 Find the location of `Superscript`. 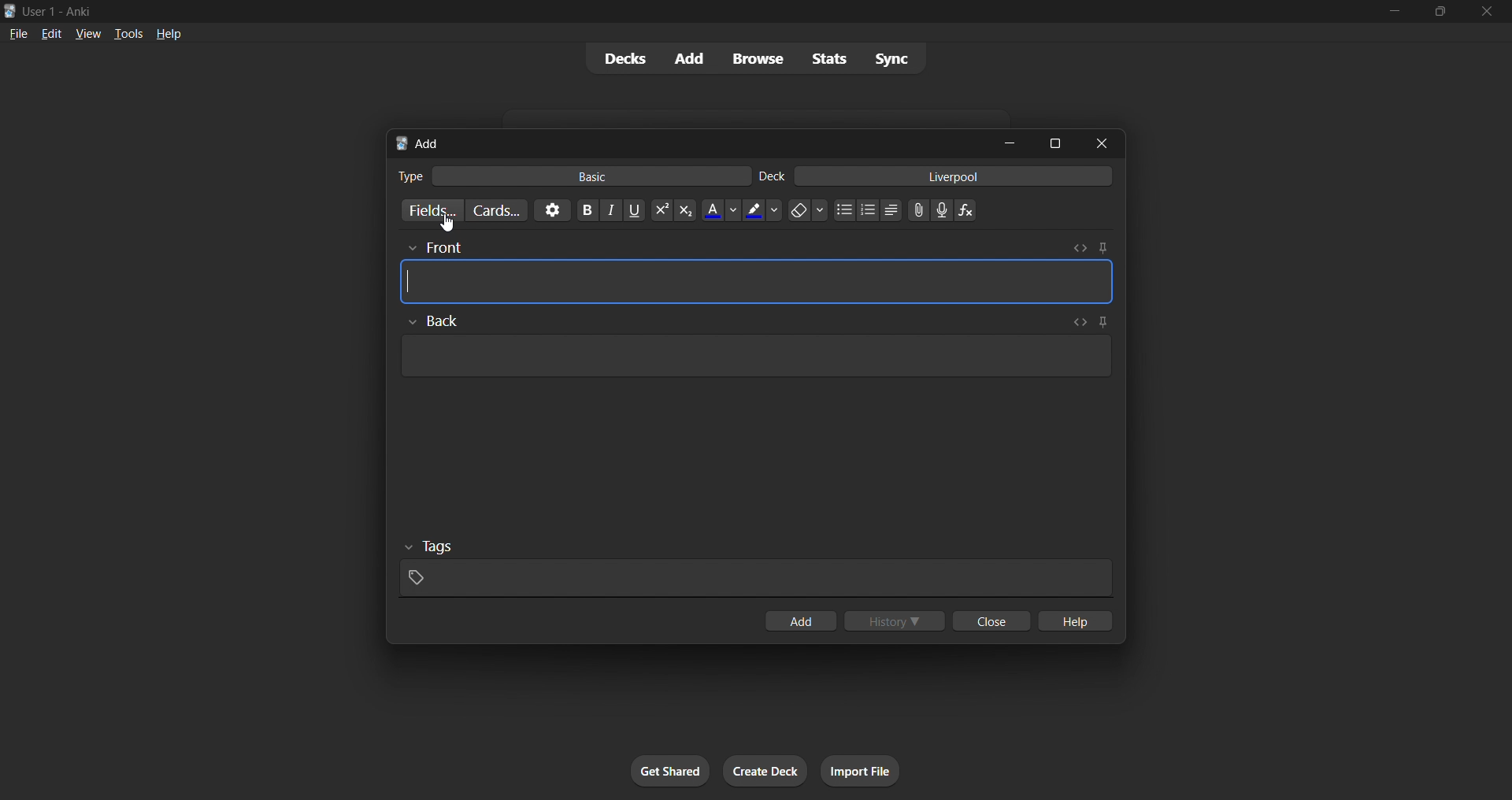

Superscript is located at coordinates (661, 210).